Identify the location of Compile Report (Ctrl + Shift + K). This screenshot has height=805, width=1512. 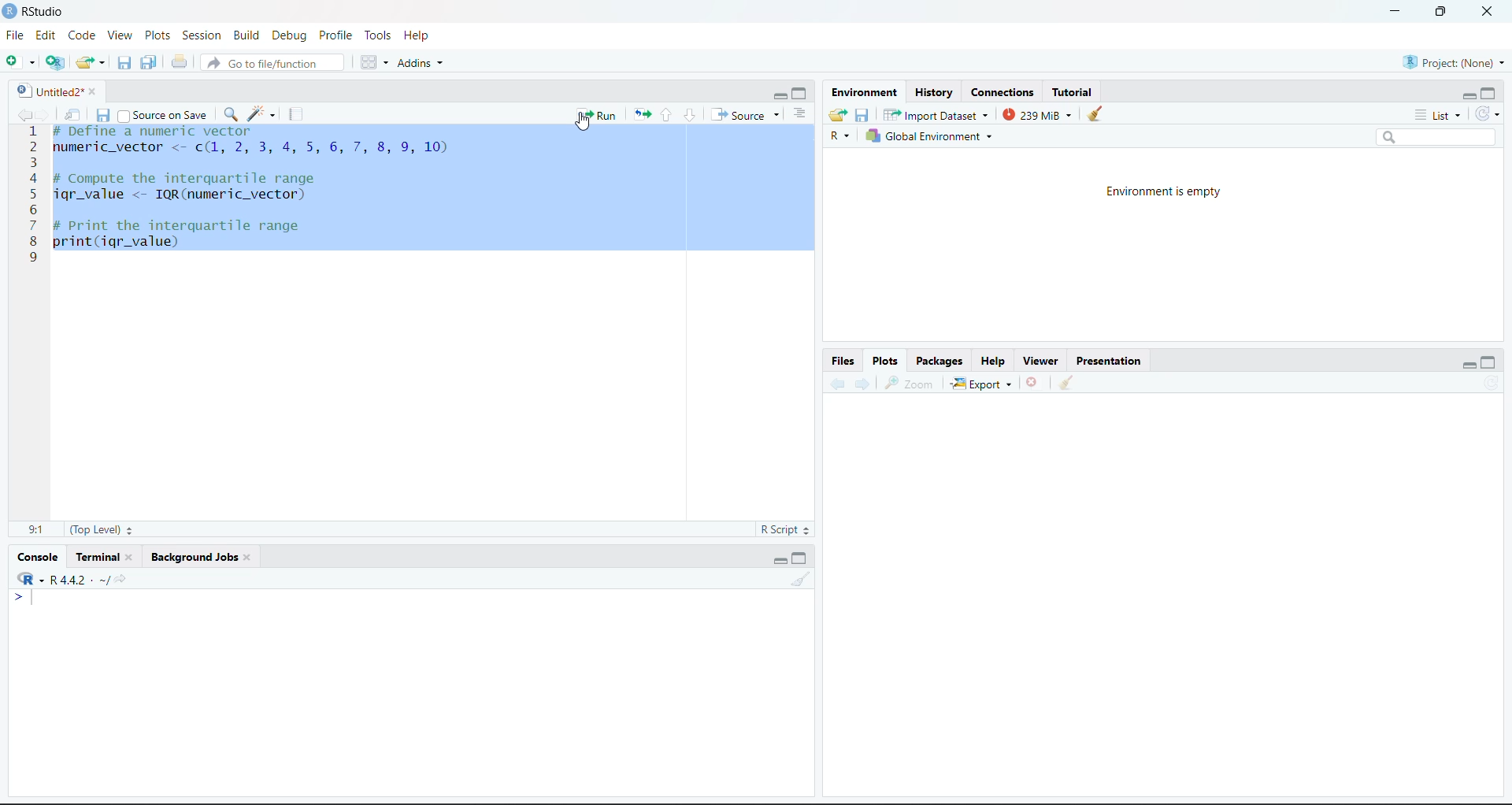
(296, 112).